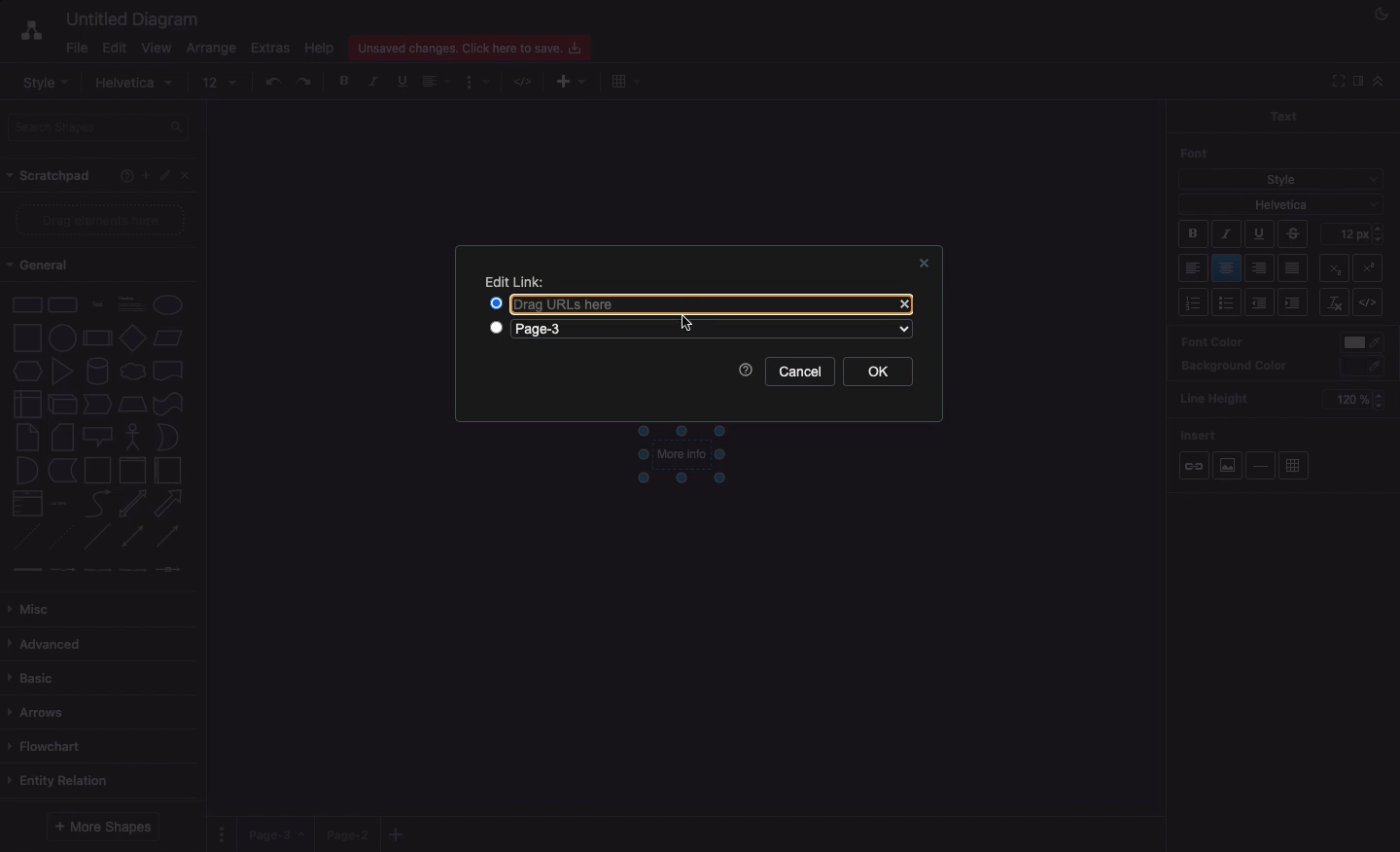 Image resolution: width=1400 pixels, height=852 pixels. I want to click on Center aligned, so click(1228, 268).